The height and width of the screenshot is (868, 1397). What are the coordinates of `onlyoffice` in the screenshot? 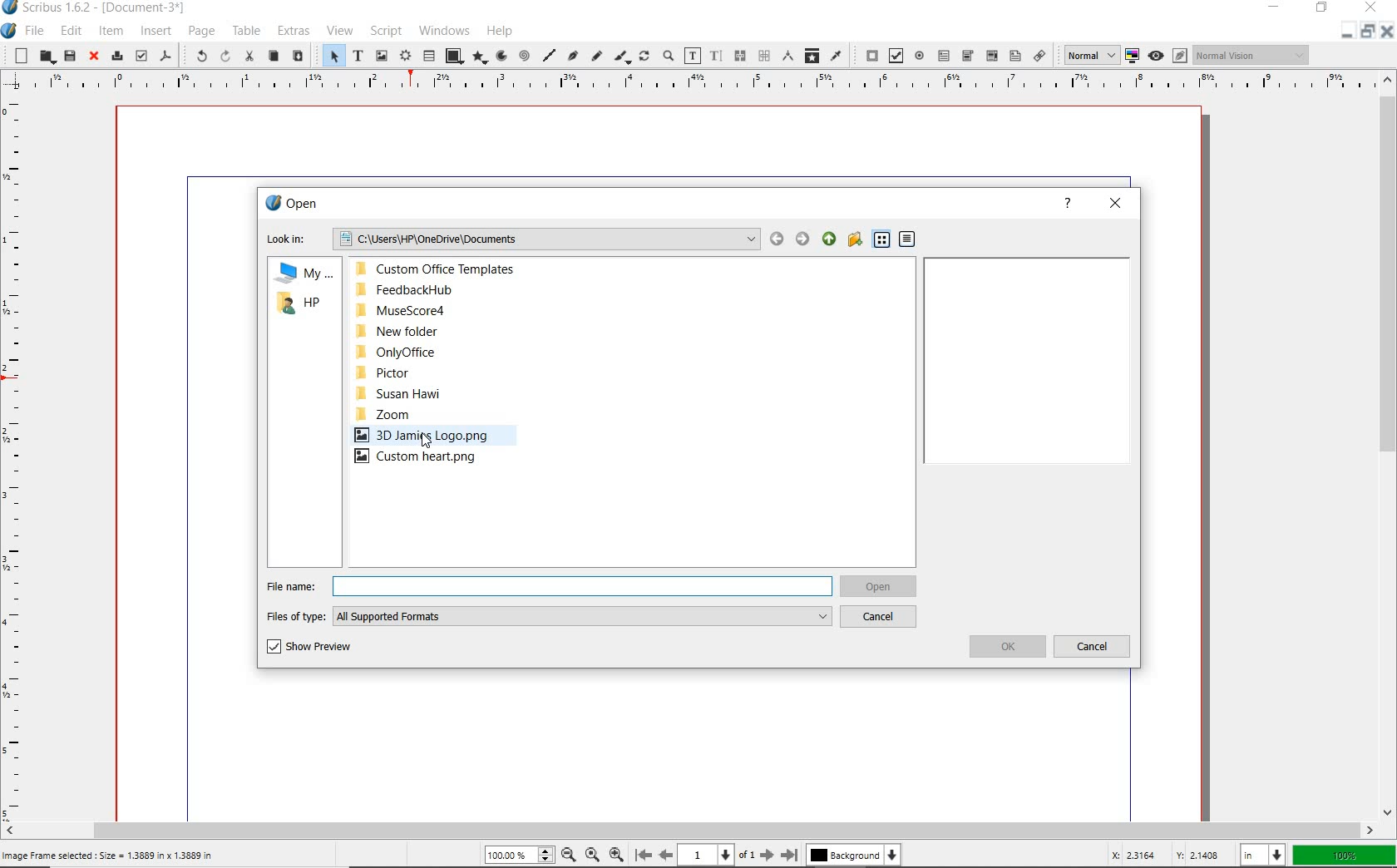 It's located at (442, 351).